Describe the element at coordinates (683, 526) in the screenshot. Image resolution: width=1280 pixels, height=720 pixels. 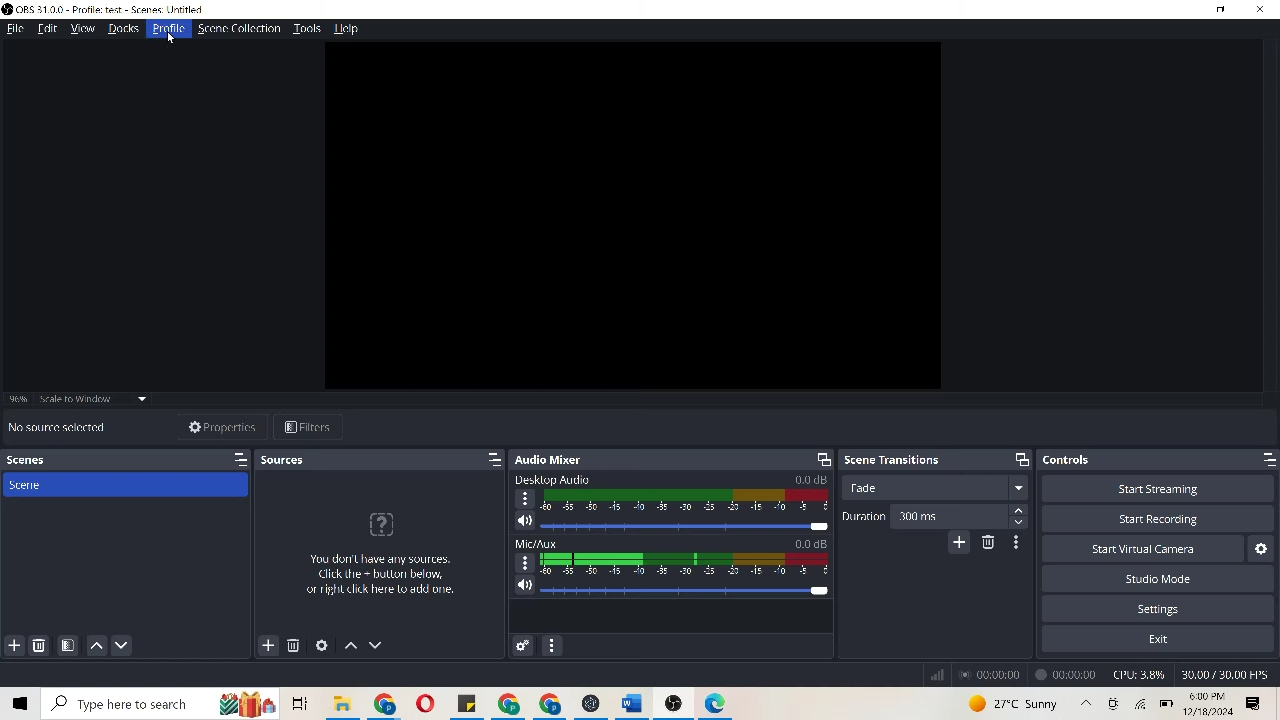
I see `slider` at that location.